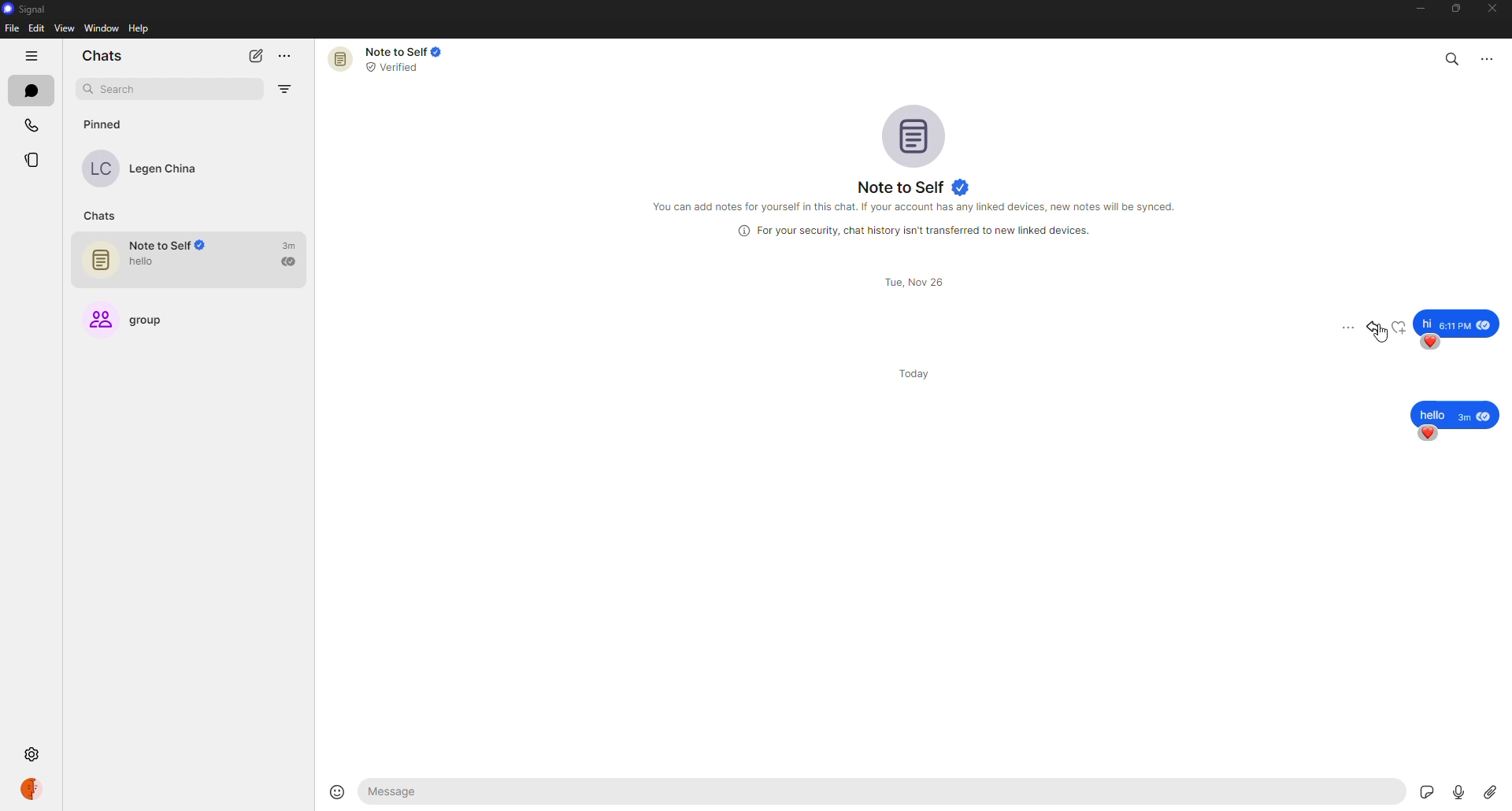  Describe the element at coordinates (1494, 8) in the screenshot. I see `close` at that location.